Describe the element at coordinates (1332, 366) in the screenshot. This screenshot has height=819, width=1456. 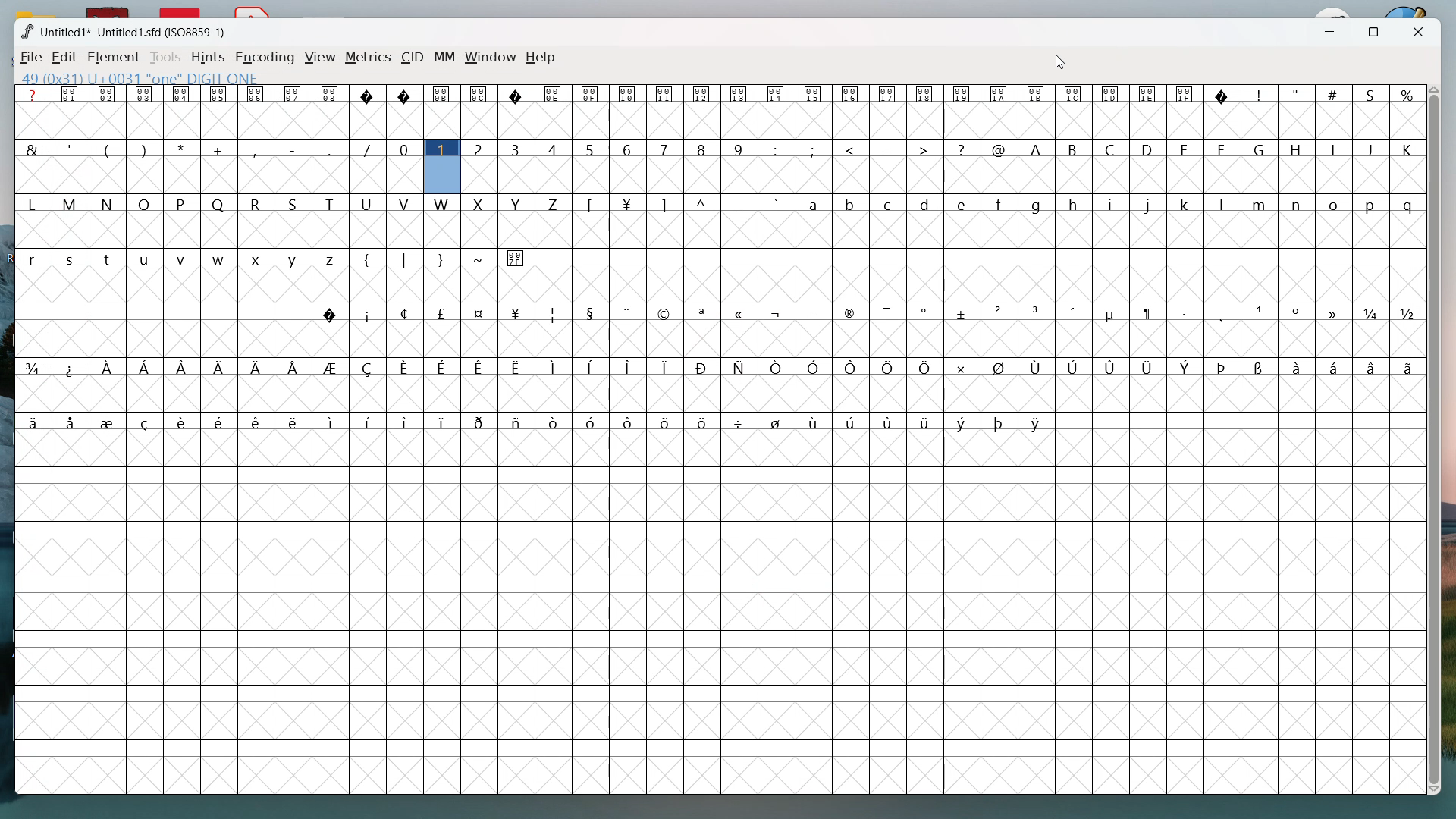
I see `symbol` at that location.